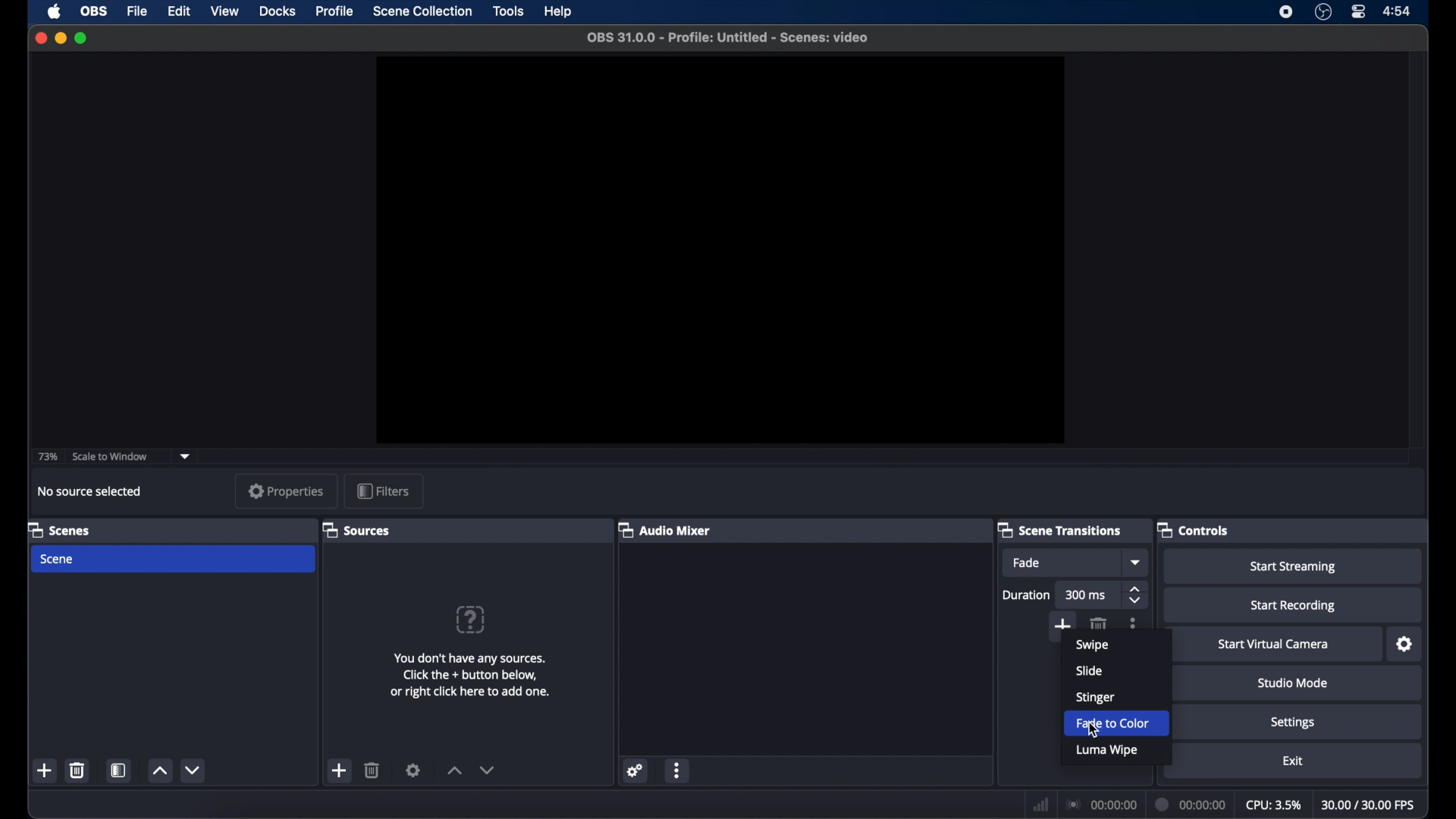 This screenshot has height=819, width=1456. What do you see at coordinates (470, 675) in the screenshot?
I see `info` at bounding box center [470, 675].